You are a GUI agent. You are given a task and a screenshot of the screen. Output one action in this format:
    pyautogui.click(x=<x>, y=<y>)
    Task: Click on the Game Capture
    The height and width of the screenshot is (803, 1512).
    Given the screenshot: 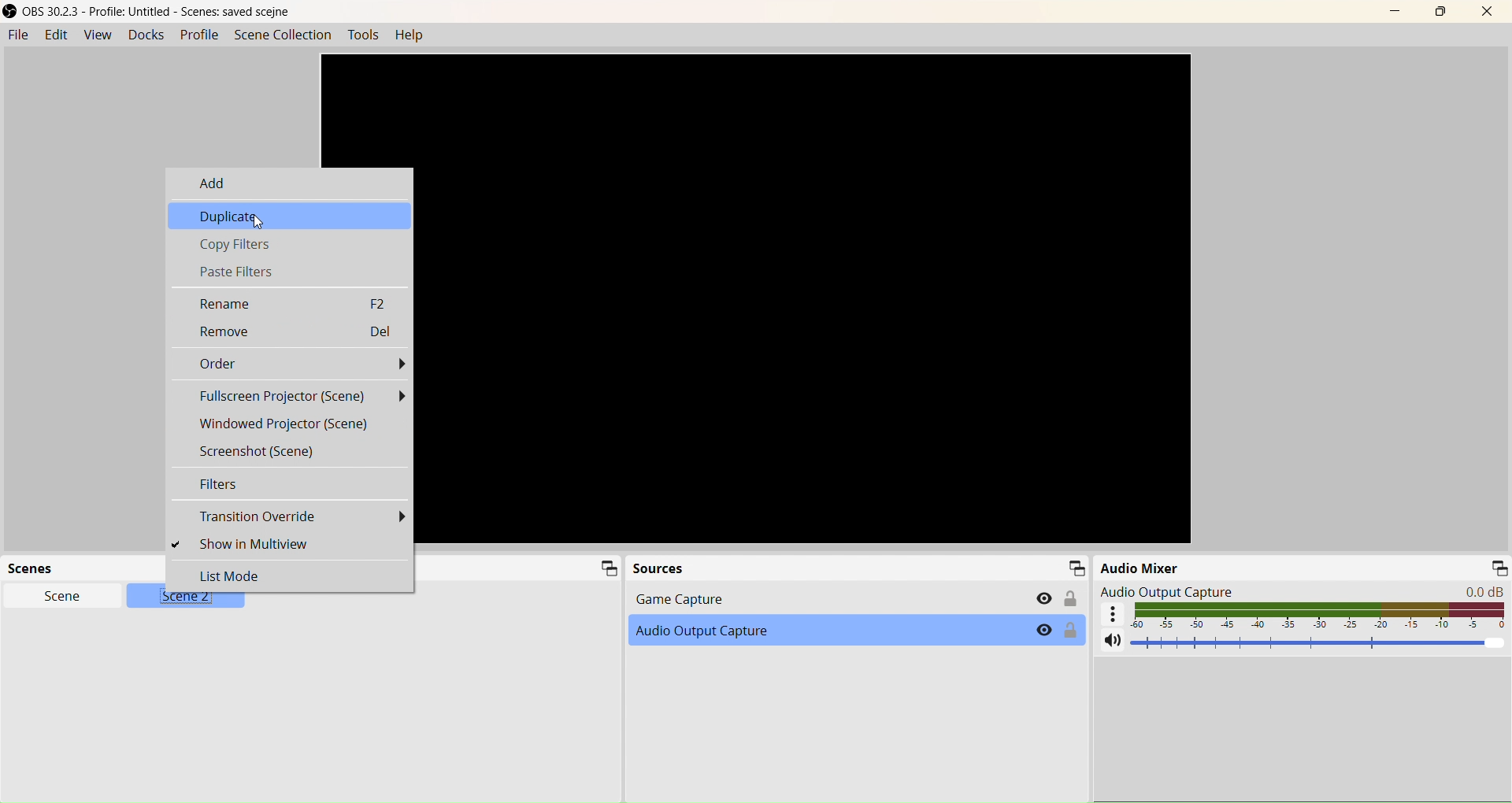 What is the action you would take?
    pyautogui.click(x=854, y=598)
    